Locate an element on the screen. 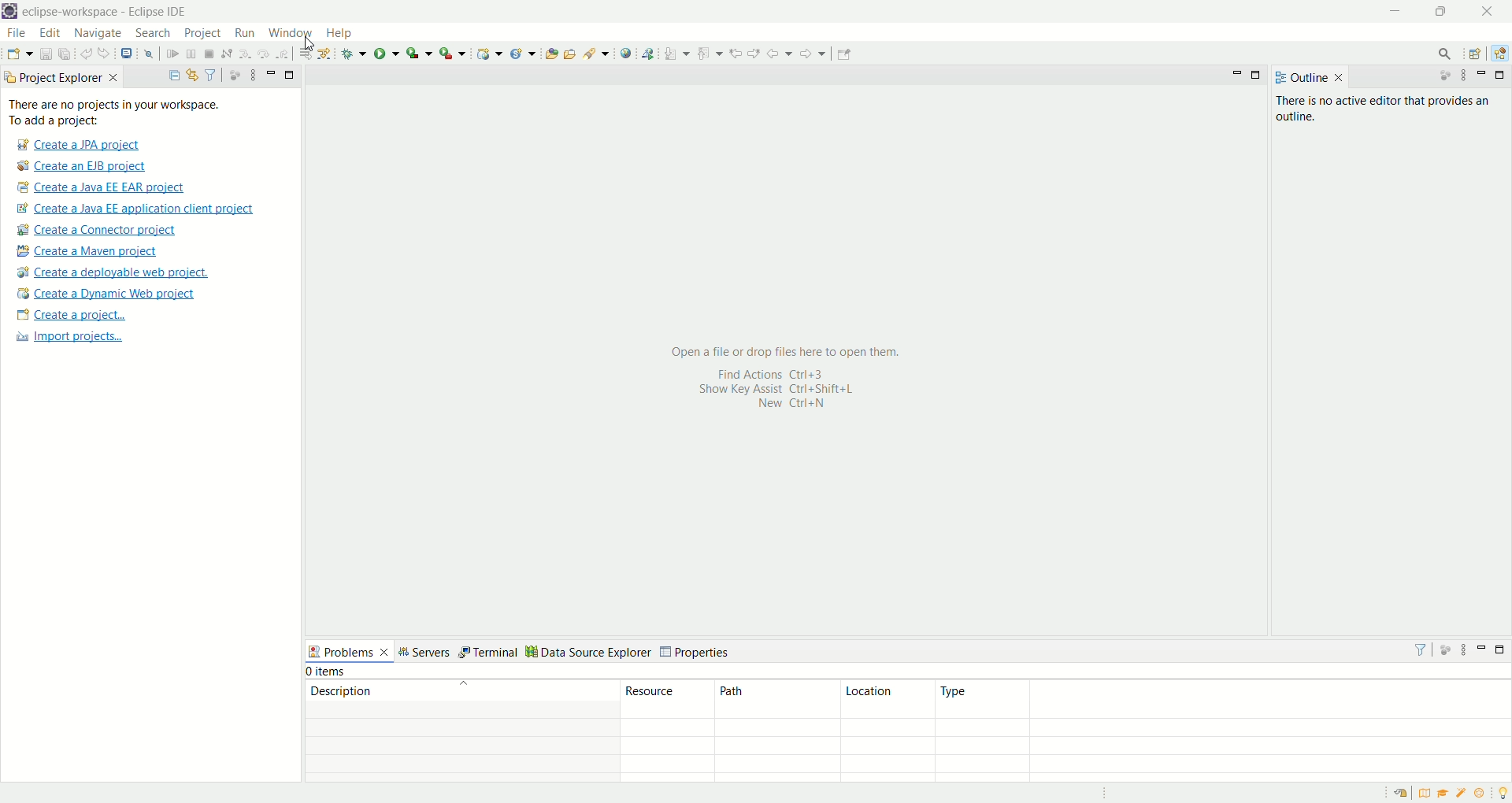 This screenshot has height=803, width=1512. tip of the day is located at coordinates (1502, 794).